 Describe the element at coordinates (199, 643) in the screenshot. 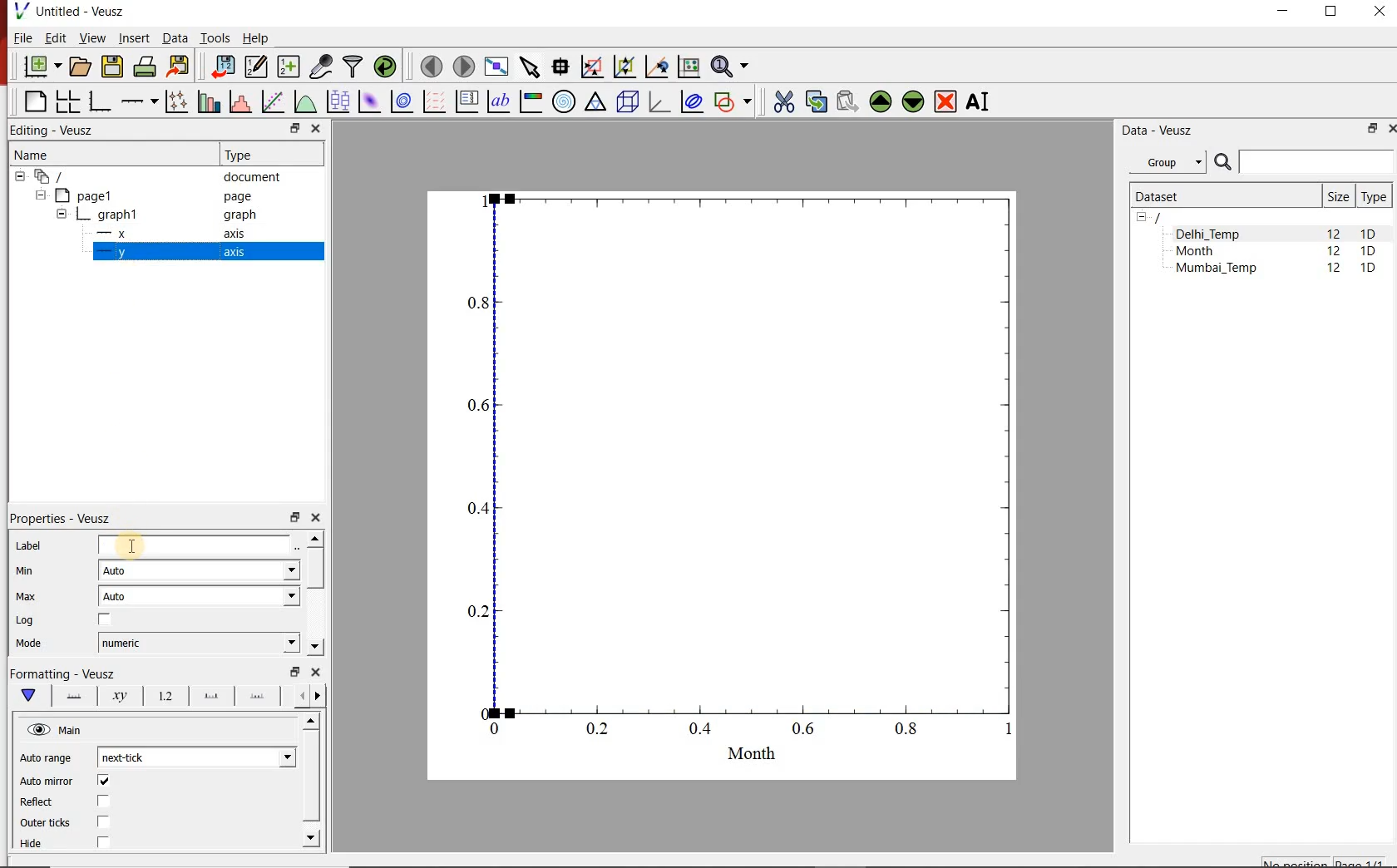

I see `numeric` at that location.